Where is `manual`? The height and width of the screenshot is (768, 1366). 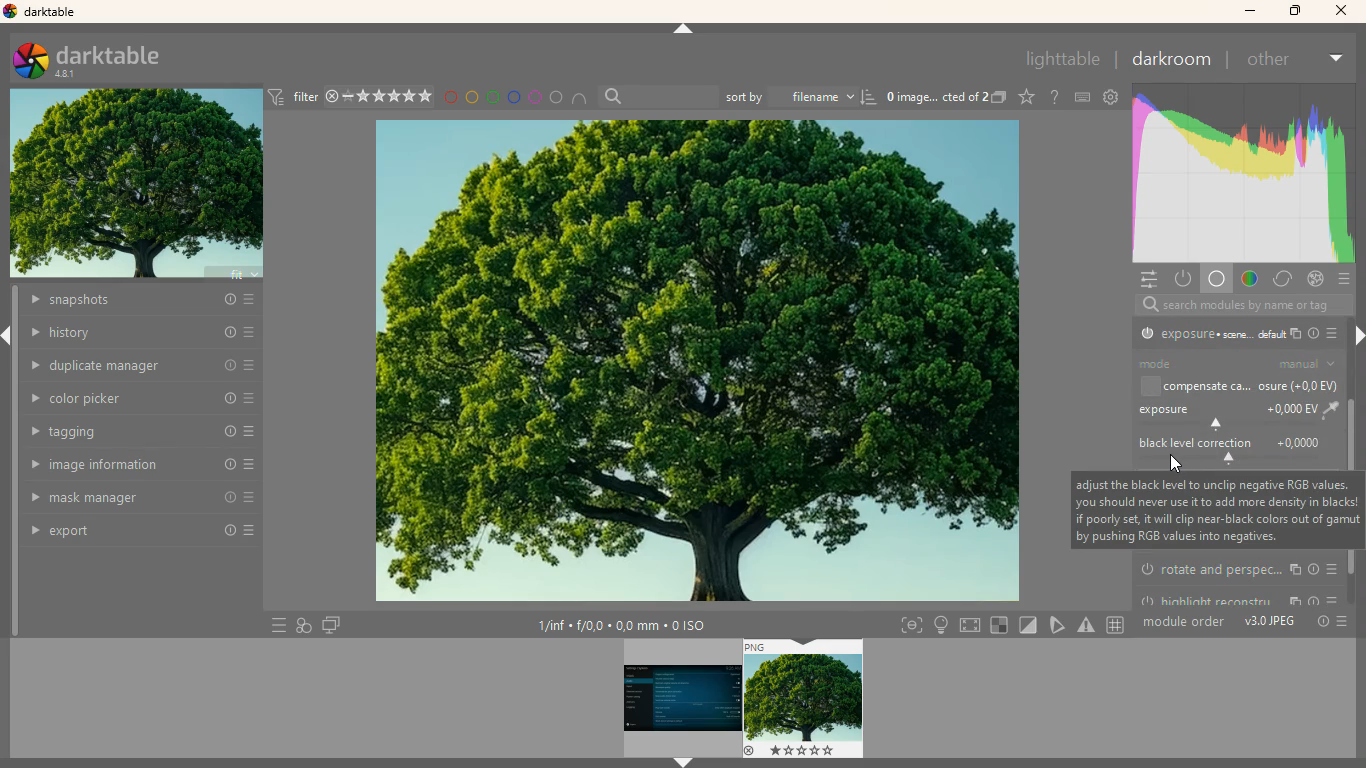
manual is located at coordinates (1309, 364).